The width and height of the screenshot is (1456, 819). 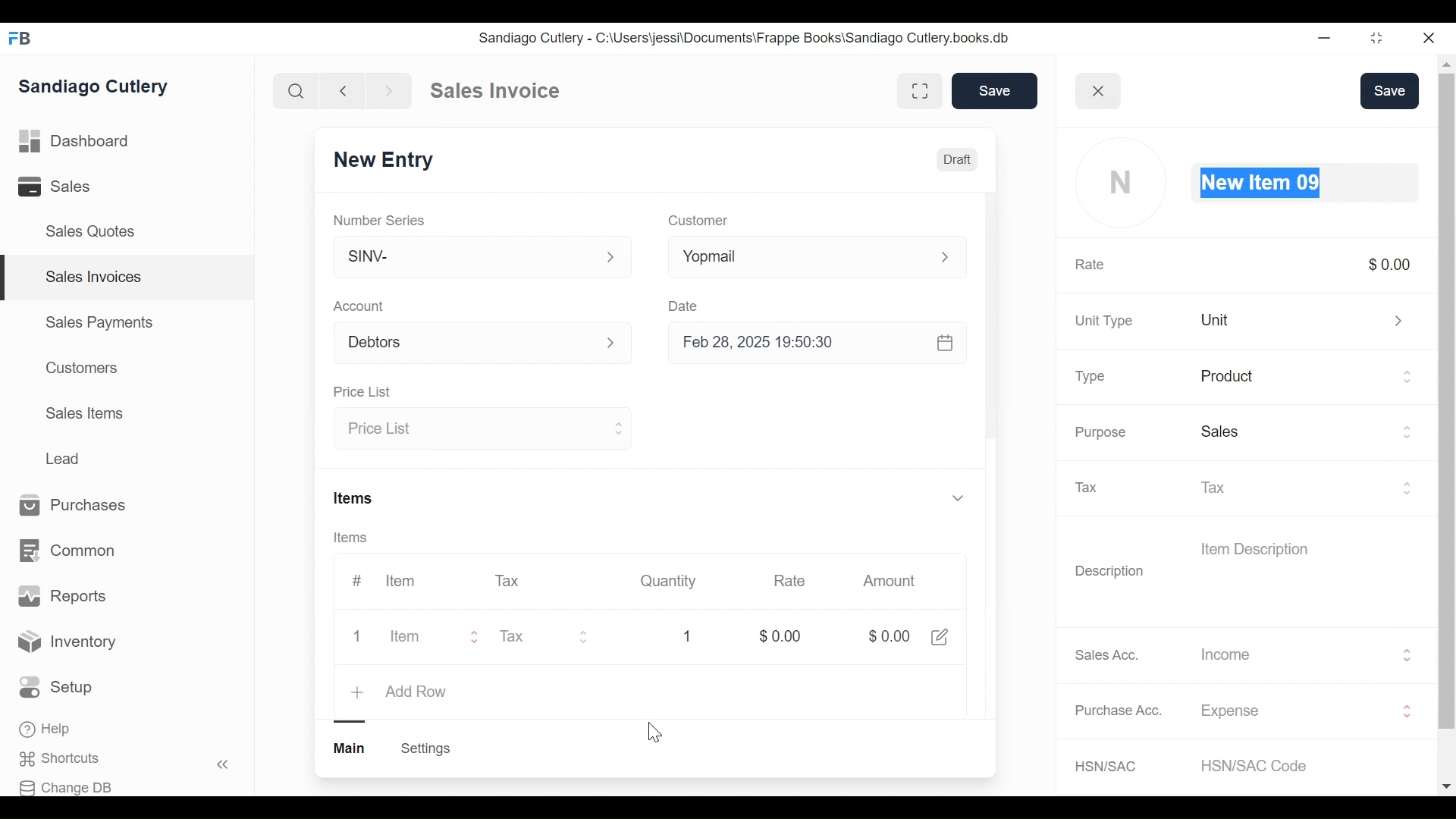 What do you see at coordinates (70, 551) in the screenshot?
I see `Common` at bounding box center [70, 551].